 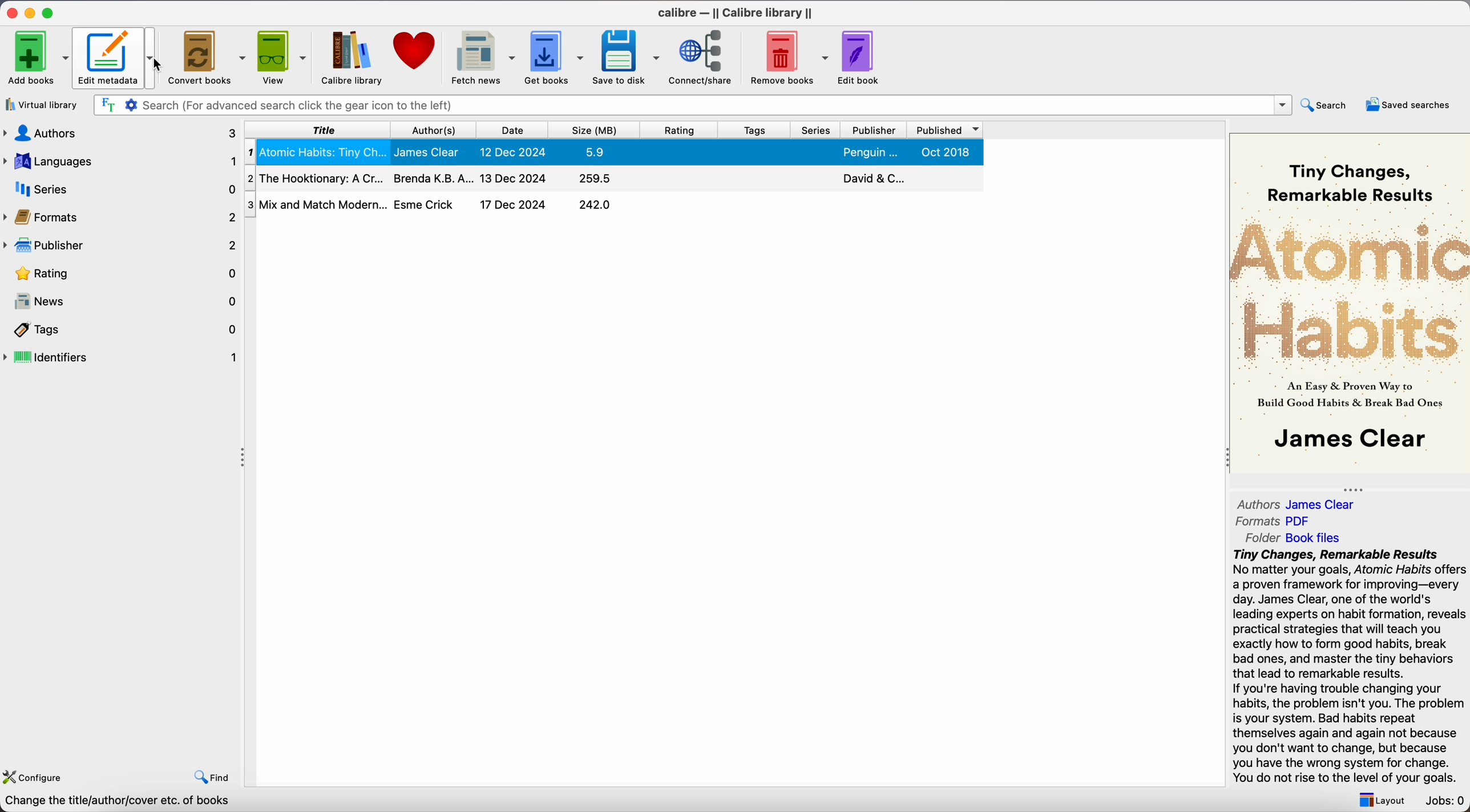 I want to click on Calibre - || Calibre library ||, so click(x=732, y=14).